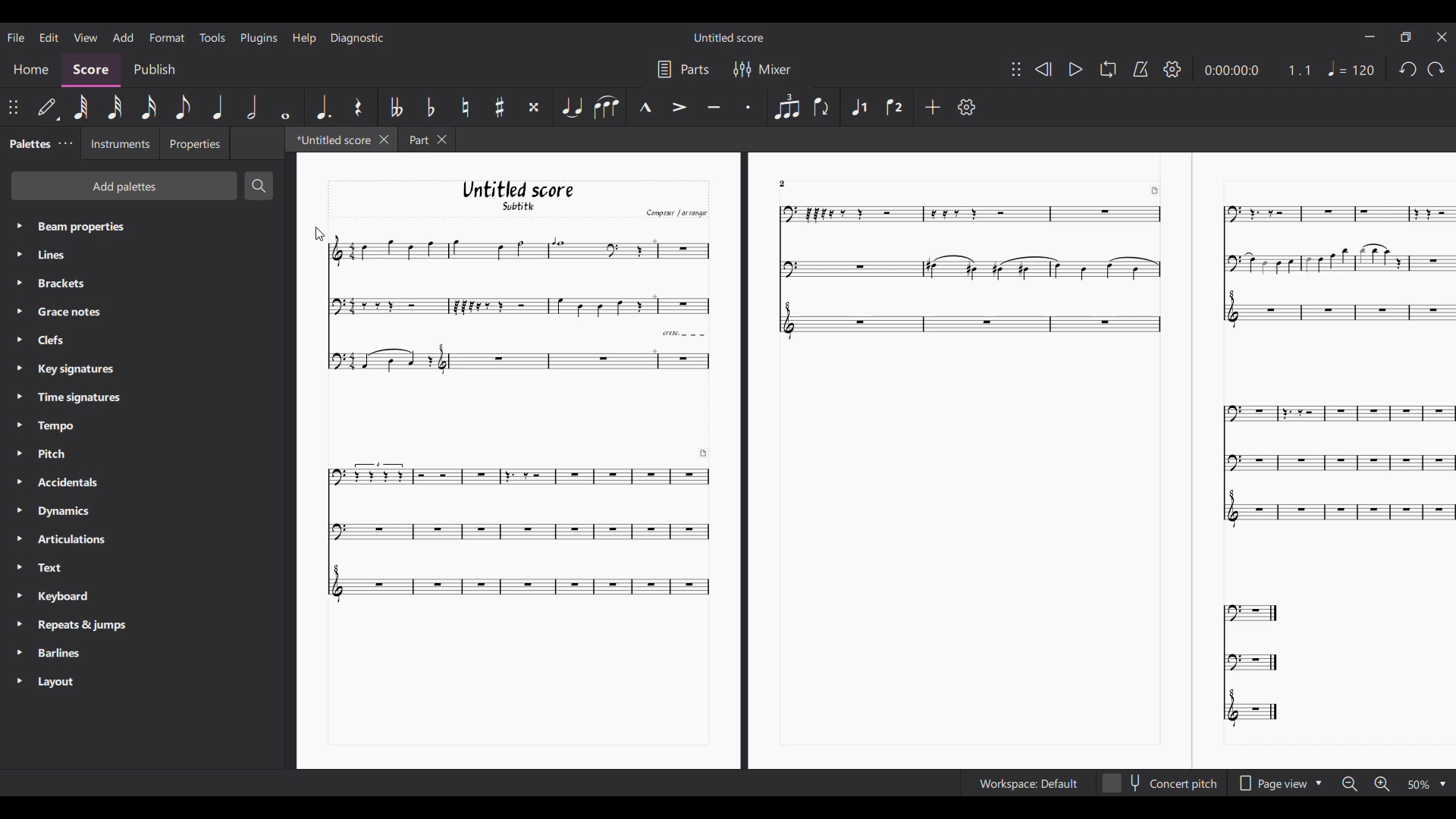 This screenshot has height=819, width=1456. Describe the element at coordinates (153, 69) in the screenshot. I see `Publish` at that location.